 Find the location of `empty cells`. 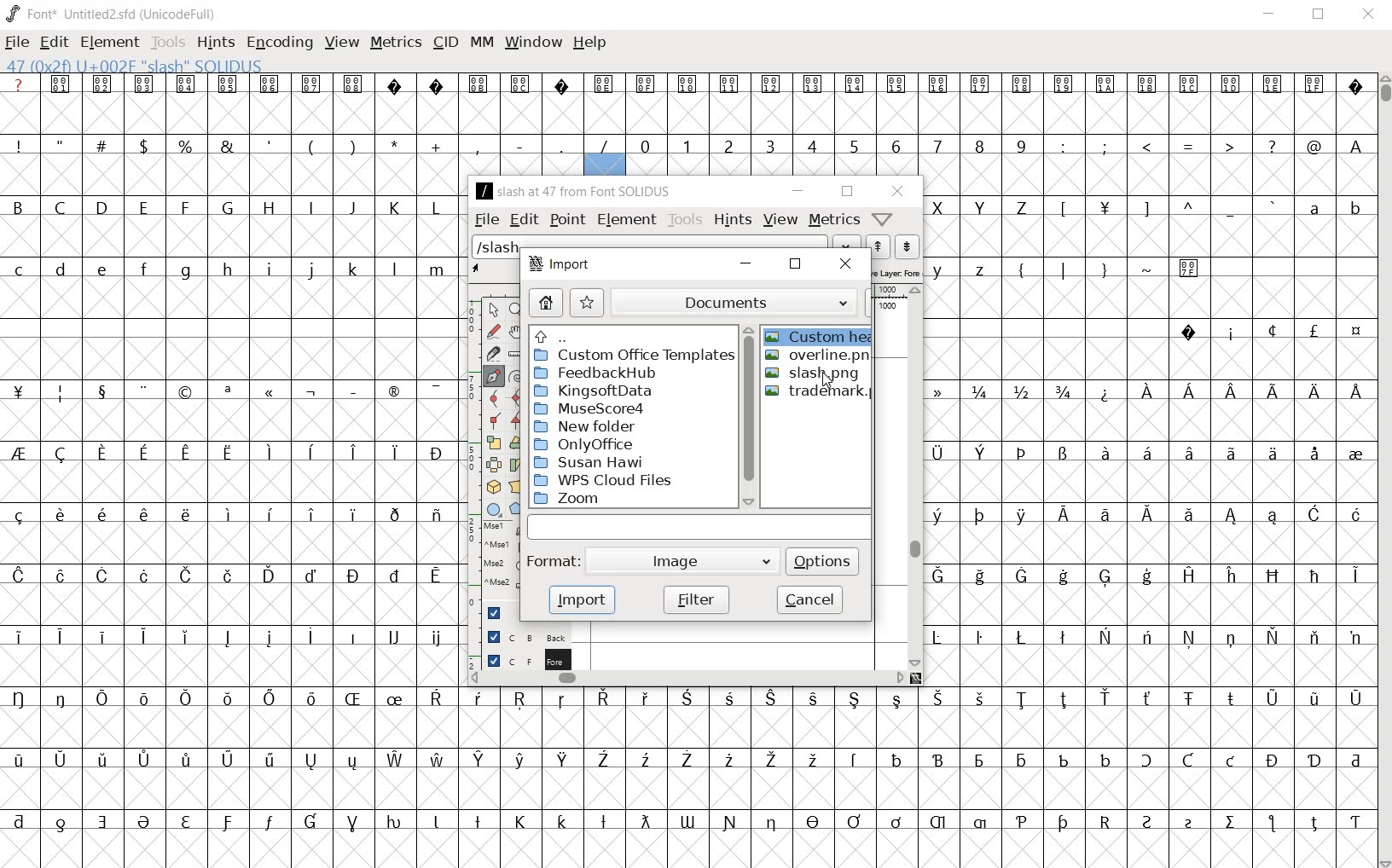

empty cells is located at coordinates (1151, 239).